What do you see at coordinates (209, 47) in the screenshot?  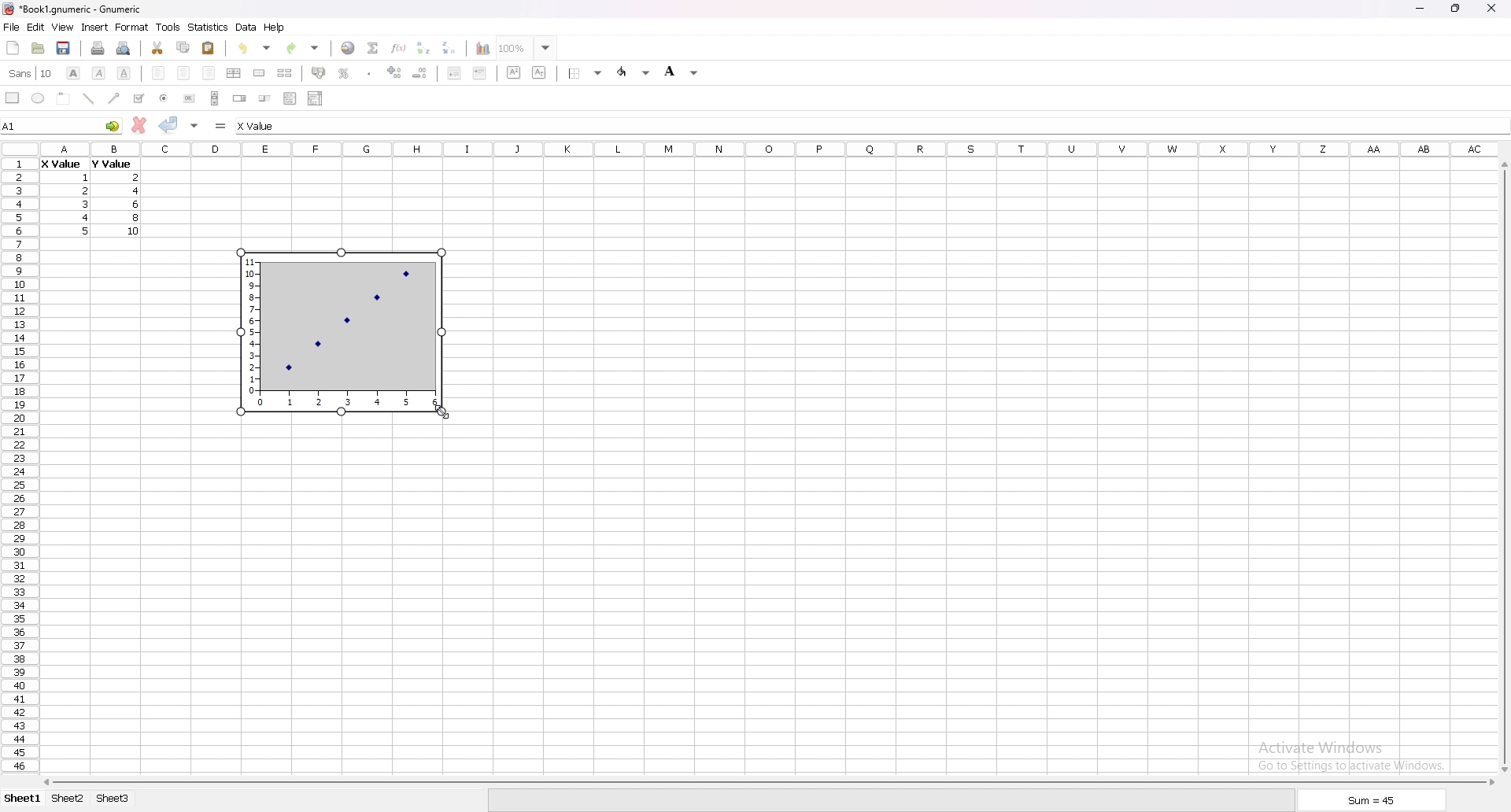 I see `paste` at bounding box center [209, 47].